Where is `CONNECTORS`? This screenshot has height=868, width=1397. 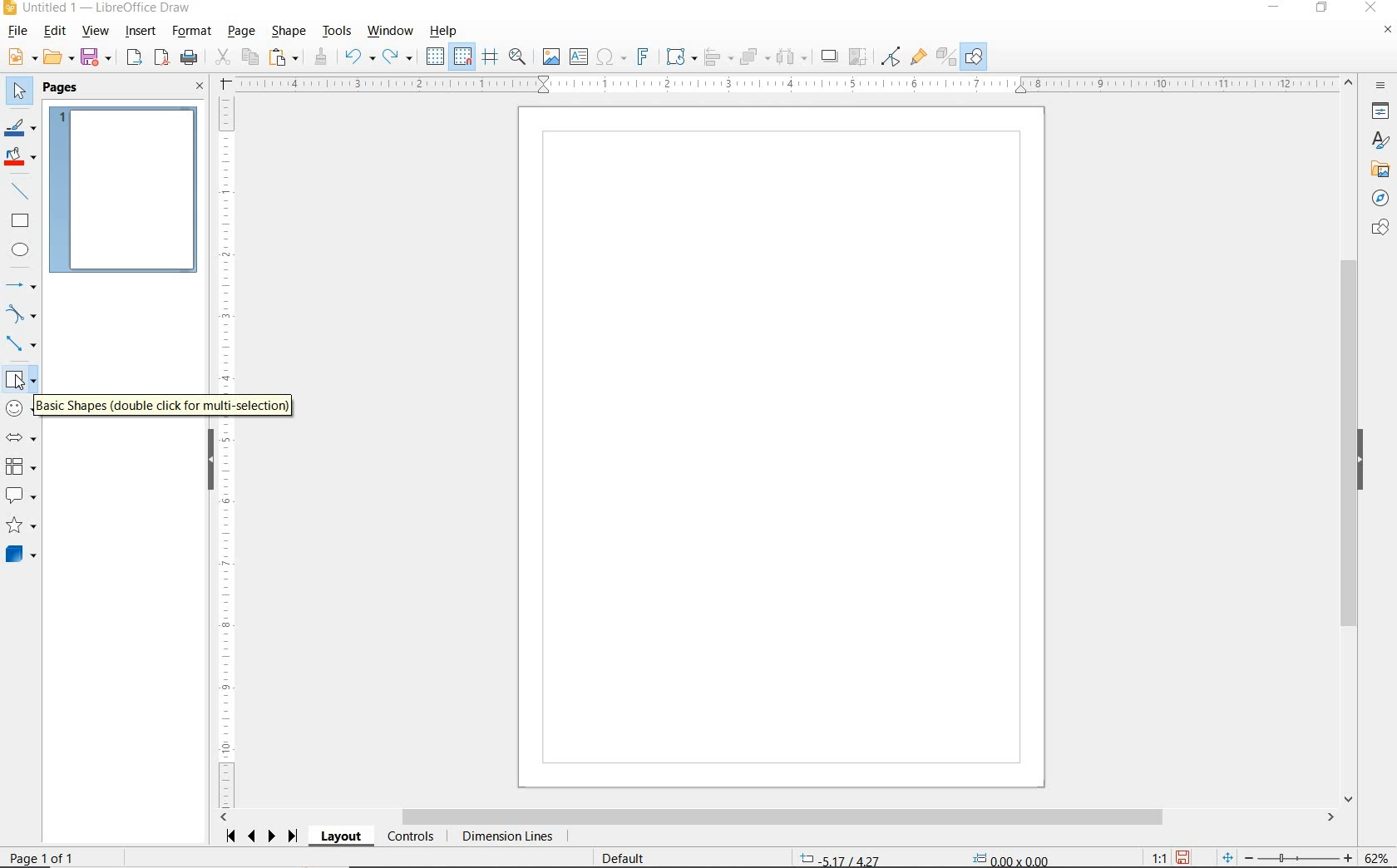 CONNECTORS is located at coordinates (21, 345).